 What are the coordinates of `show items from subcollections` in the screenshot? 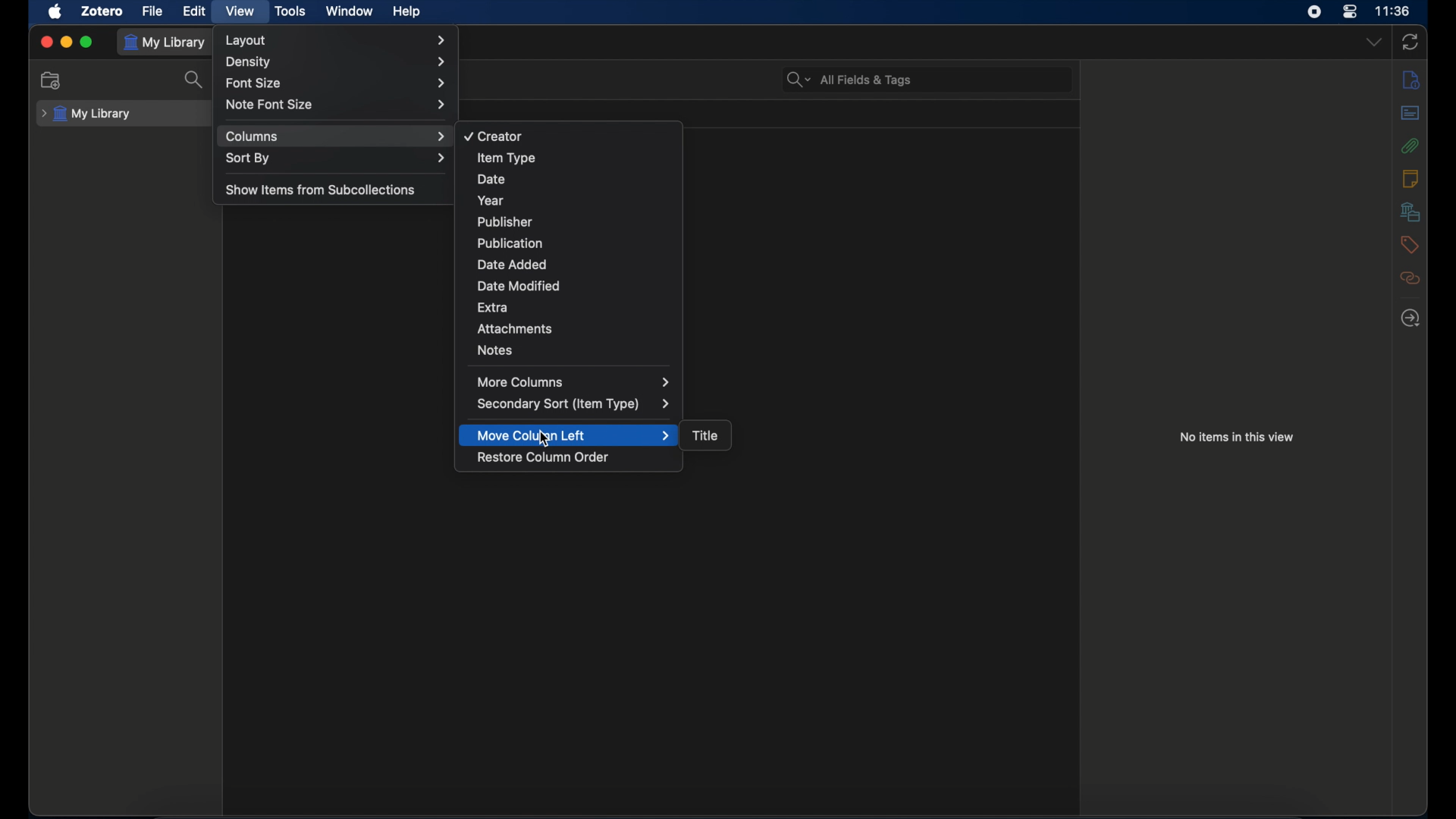 It's located at (322, 189).